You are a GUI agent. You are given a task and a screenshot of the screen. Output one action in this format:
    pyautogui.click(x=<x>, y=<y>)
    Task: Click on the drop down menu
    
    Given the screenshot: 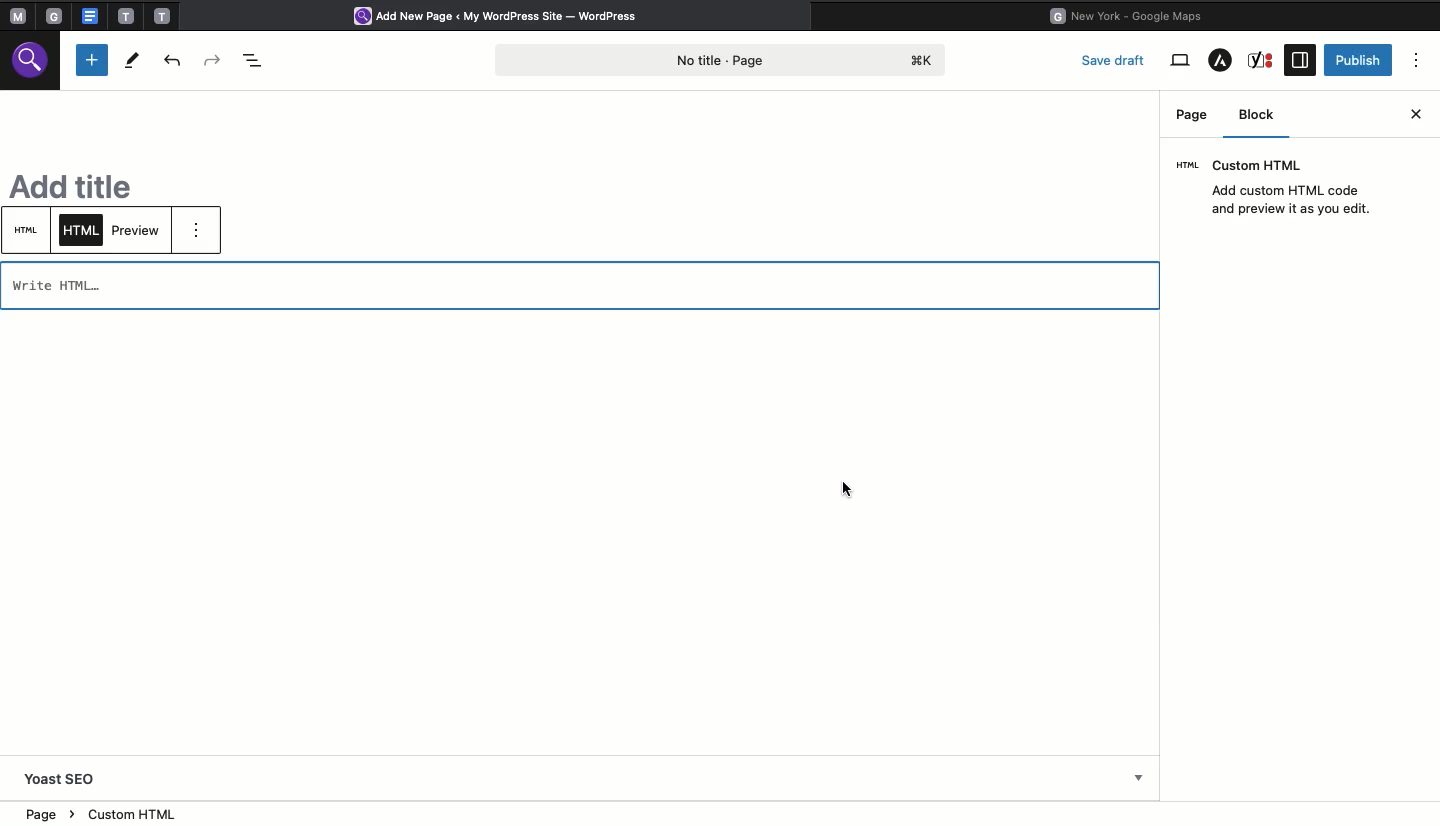 What is the action you would take?
    pyautogui.click(x=1140, y=780)
    